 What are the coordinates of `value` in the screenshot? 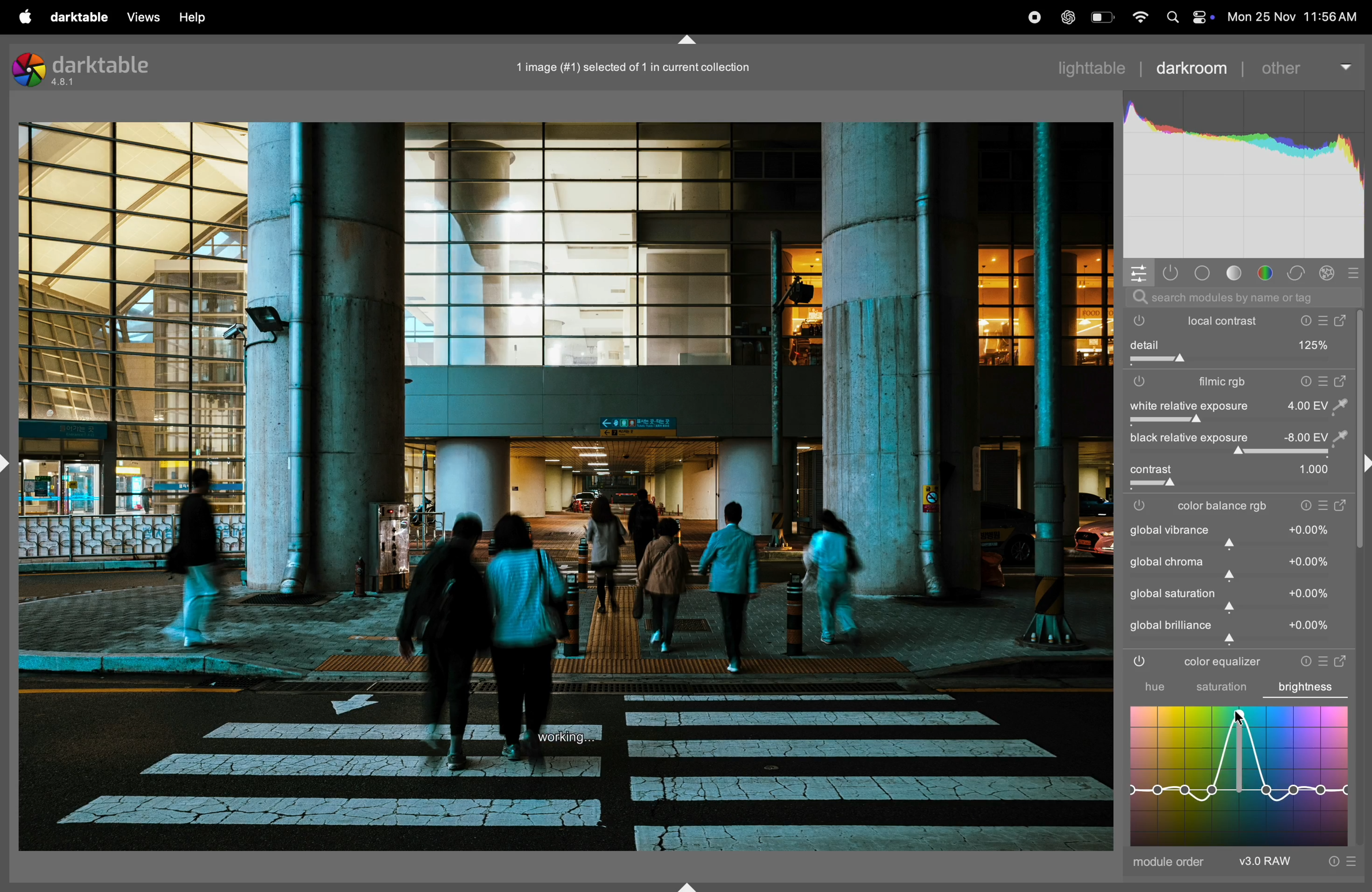 It's located at (1317, 405).